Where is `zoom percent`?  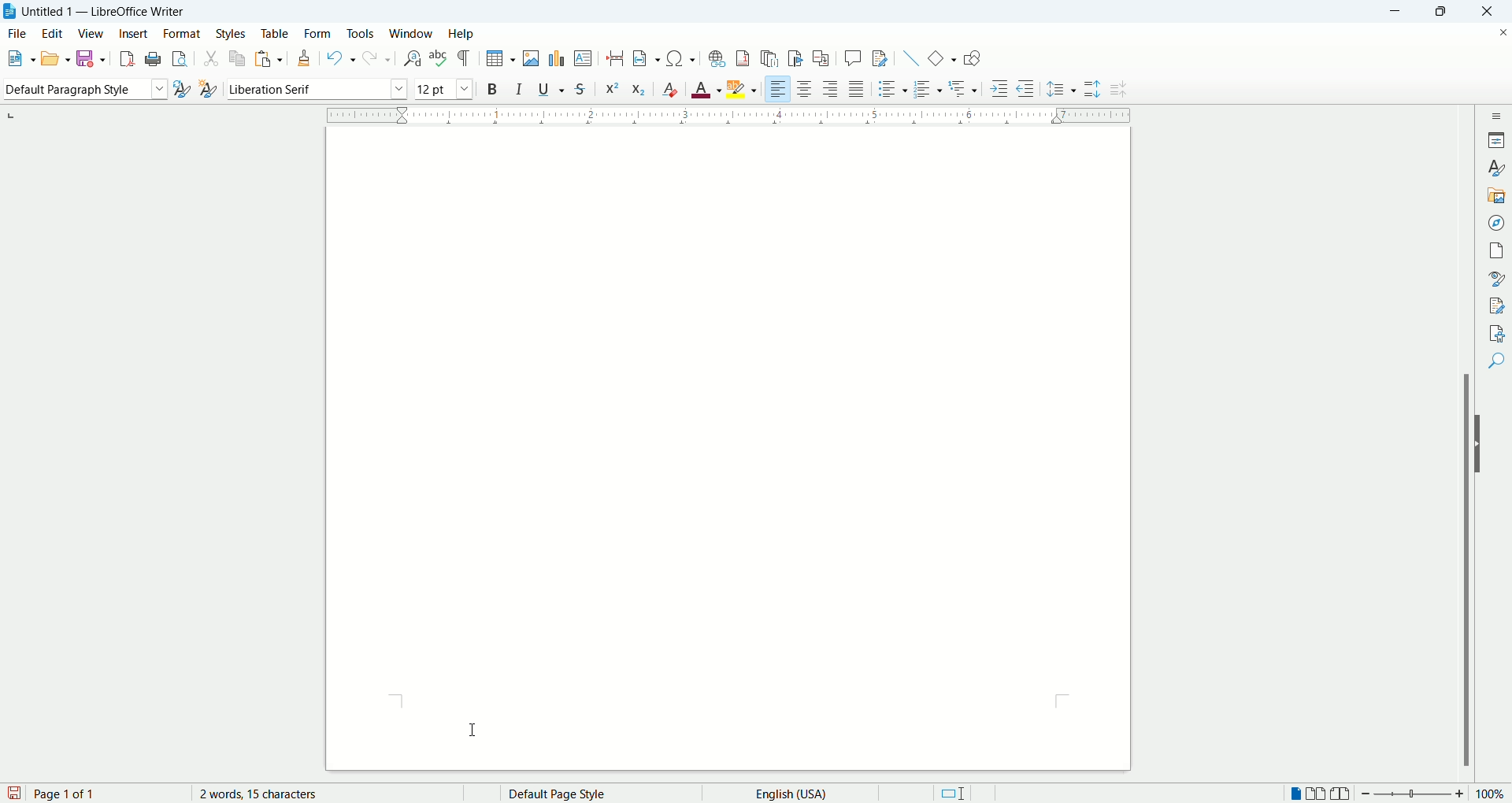
zoom percent is located at coordinates (1492, 795).